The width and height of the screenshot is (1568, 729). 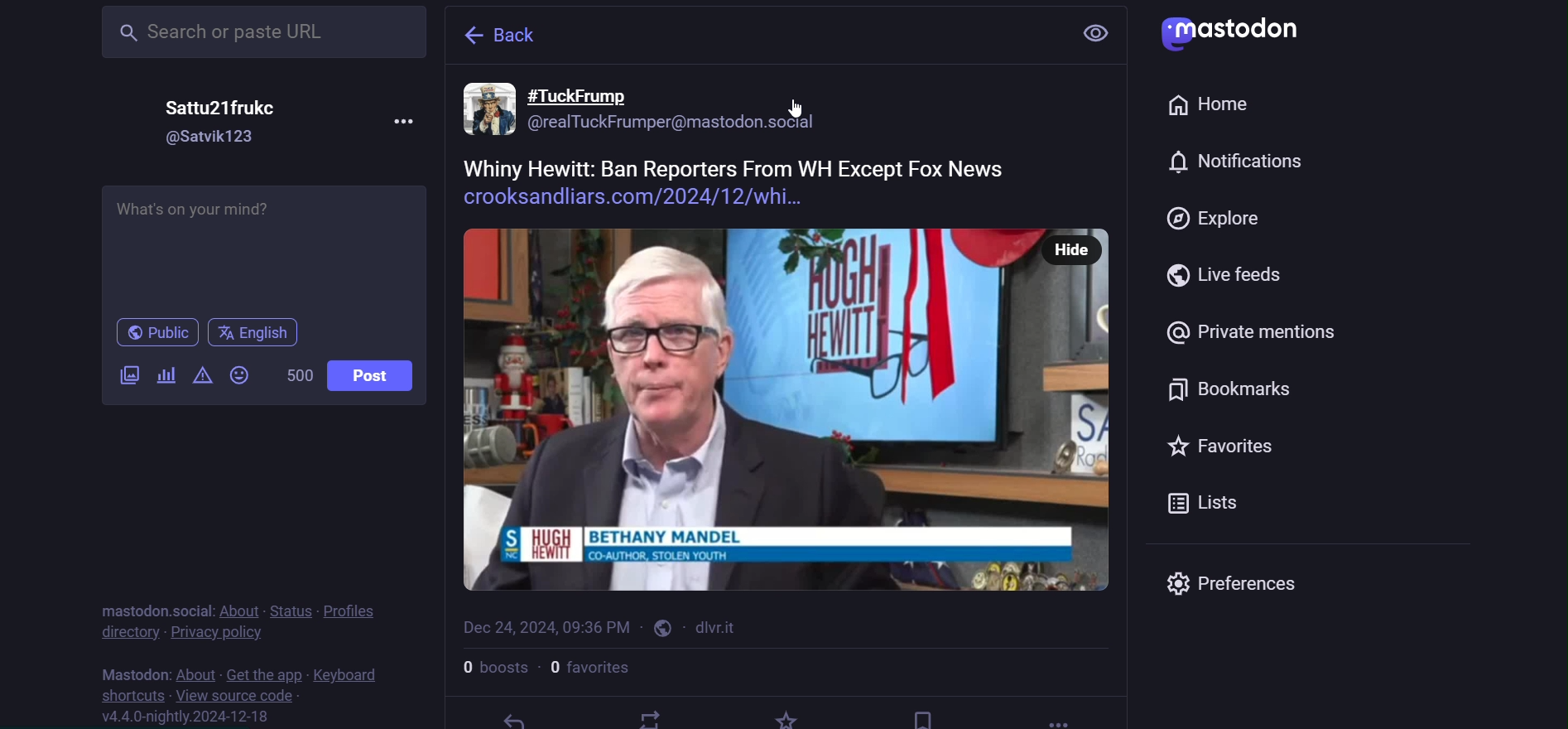 I want to click on post here, so click(x=262, y=243).